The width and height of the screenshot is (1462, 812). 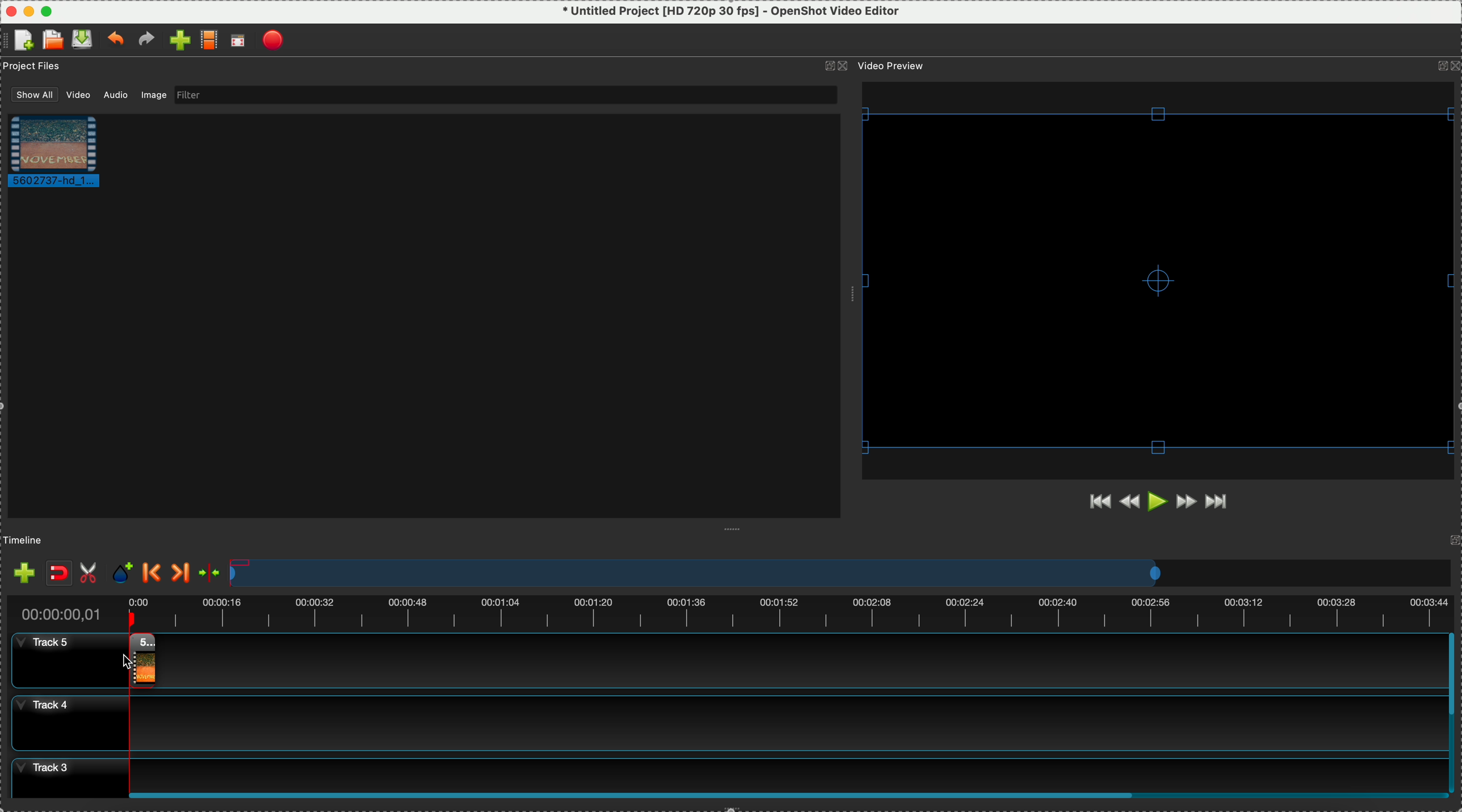 I want to click on minimize, so click(x=28, y=10).